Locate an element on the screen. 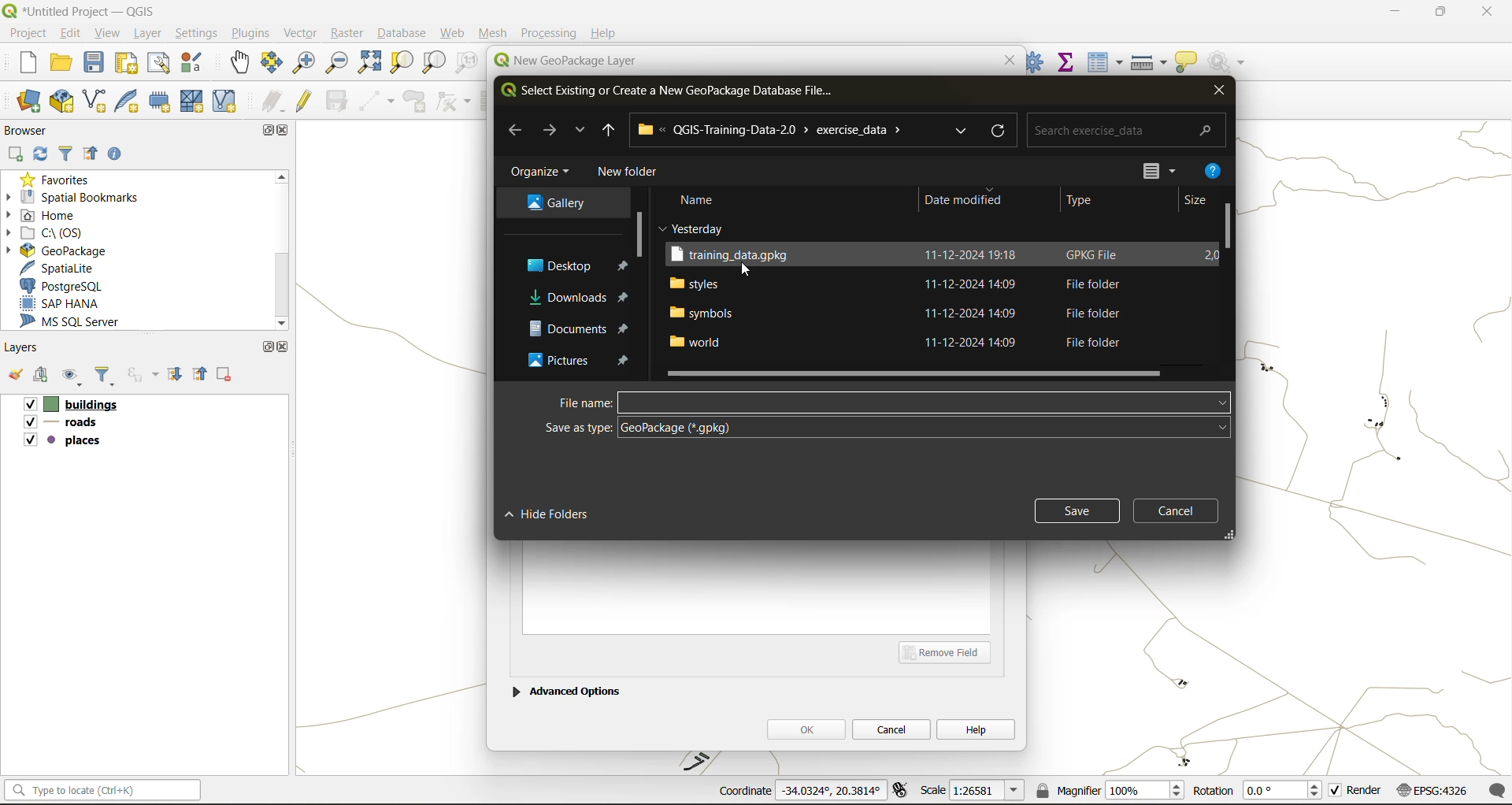  File folder is located at coordinates (1088, 313).